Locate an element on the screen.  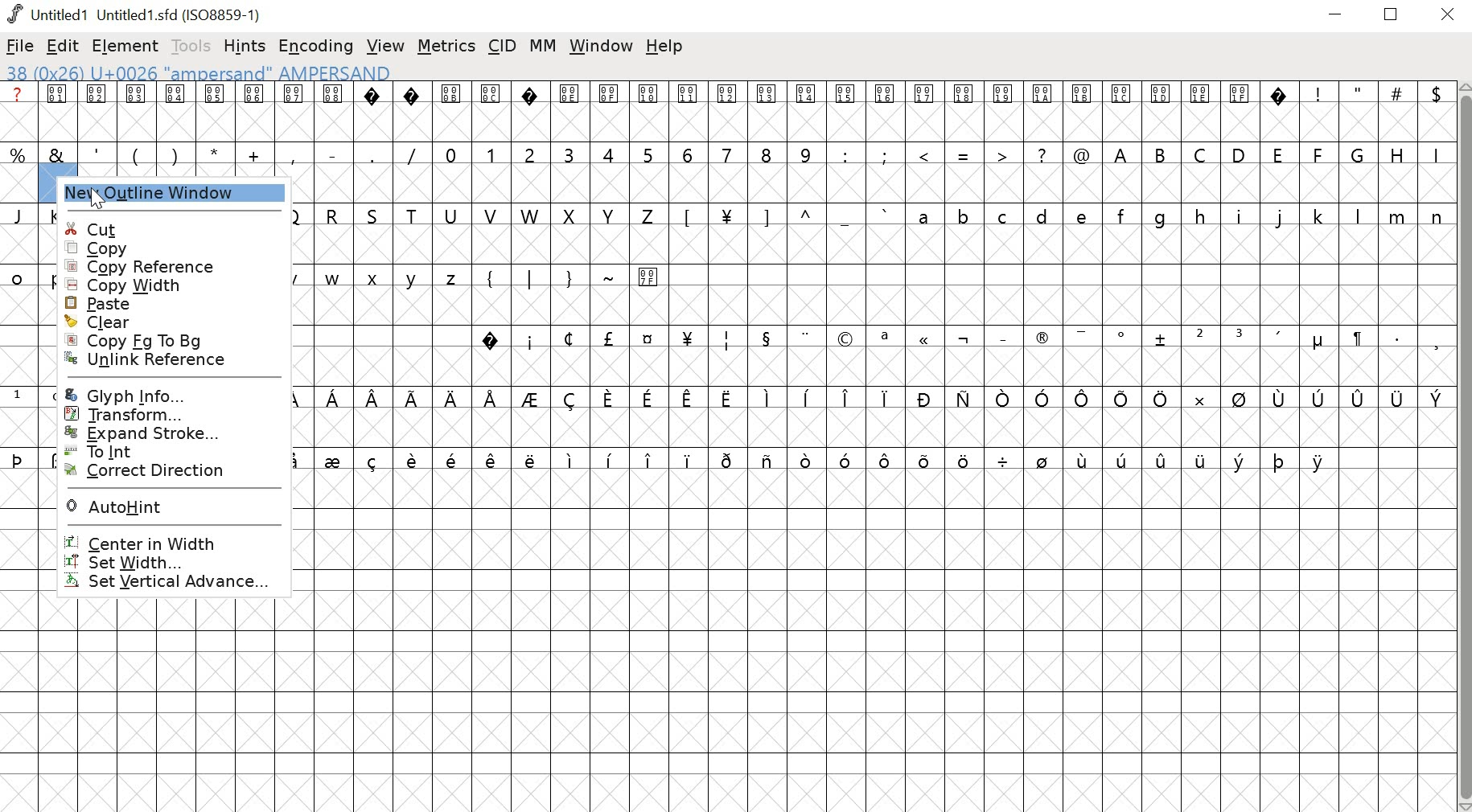
symbol is located at coordinates (924, 459).